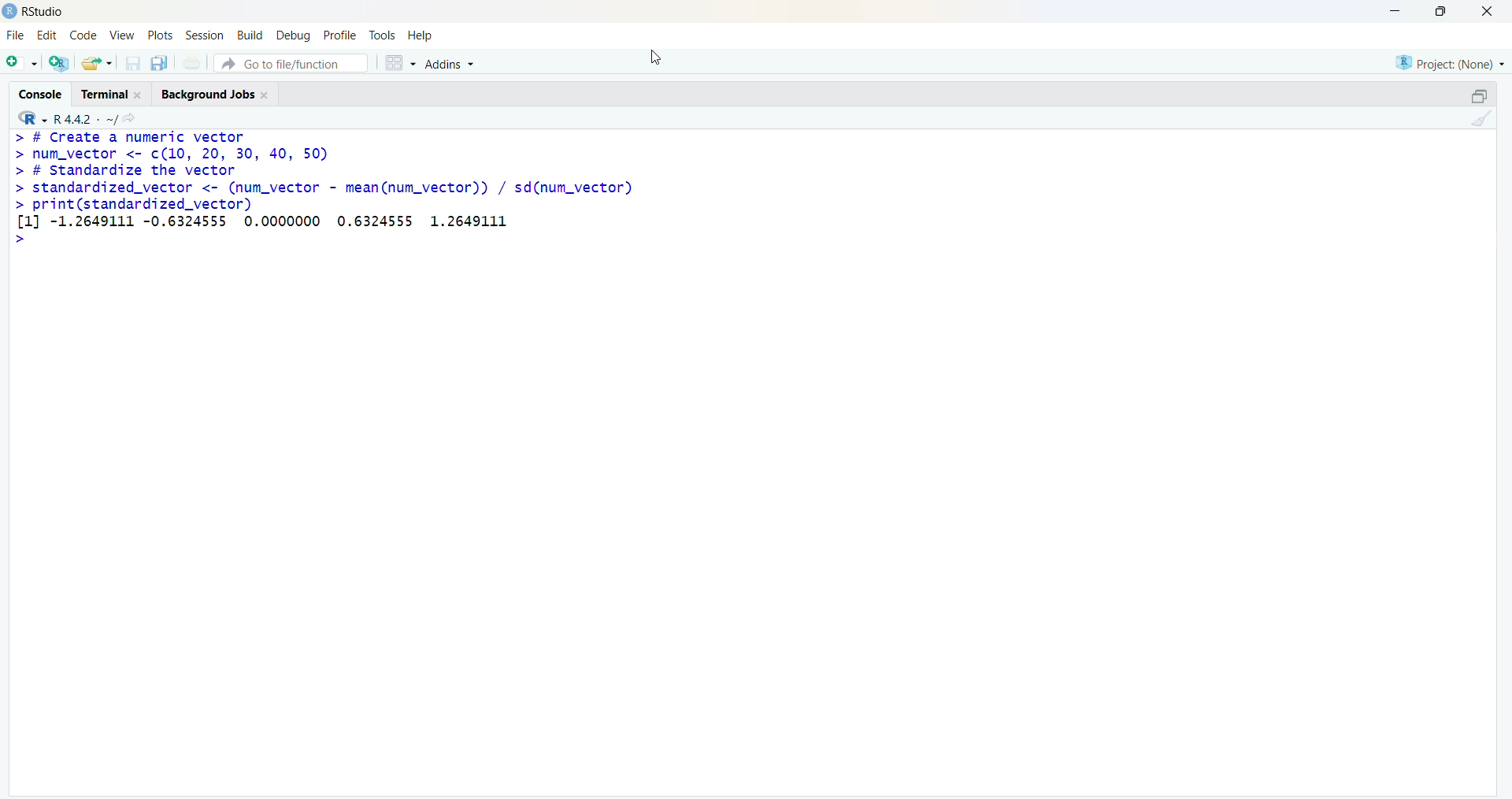 Image resolution: width=1512 pixels, height=799 pixels. I want to click on console, so click(41, 95).